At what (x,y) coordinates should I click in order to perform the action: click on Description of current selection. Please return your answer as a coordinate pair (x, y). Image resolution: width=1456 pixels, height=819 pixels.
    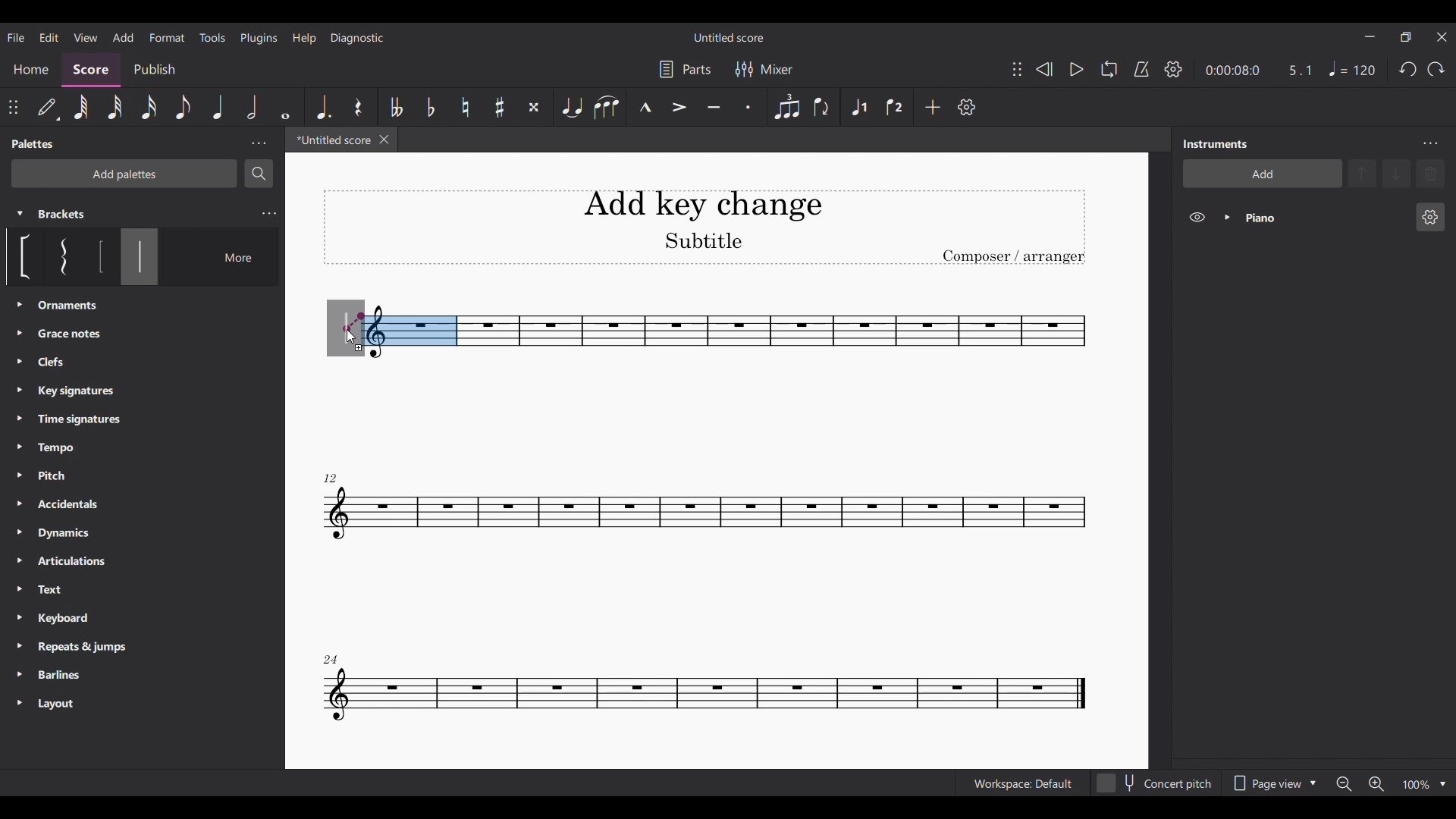
    Looking at the image, I should click on (140, 307).